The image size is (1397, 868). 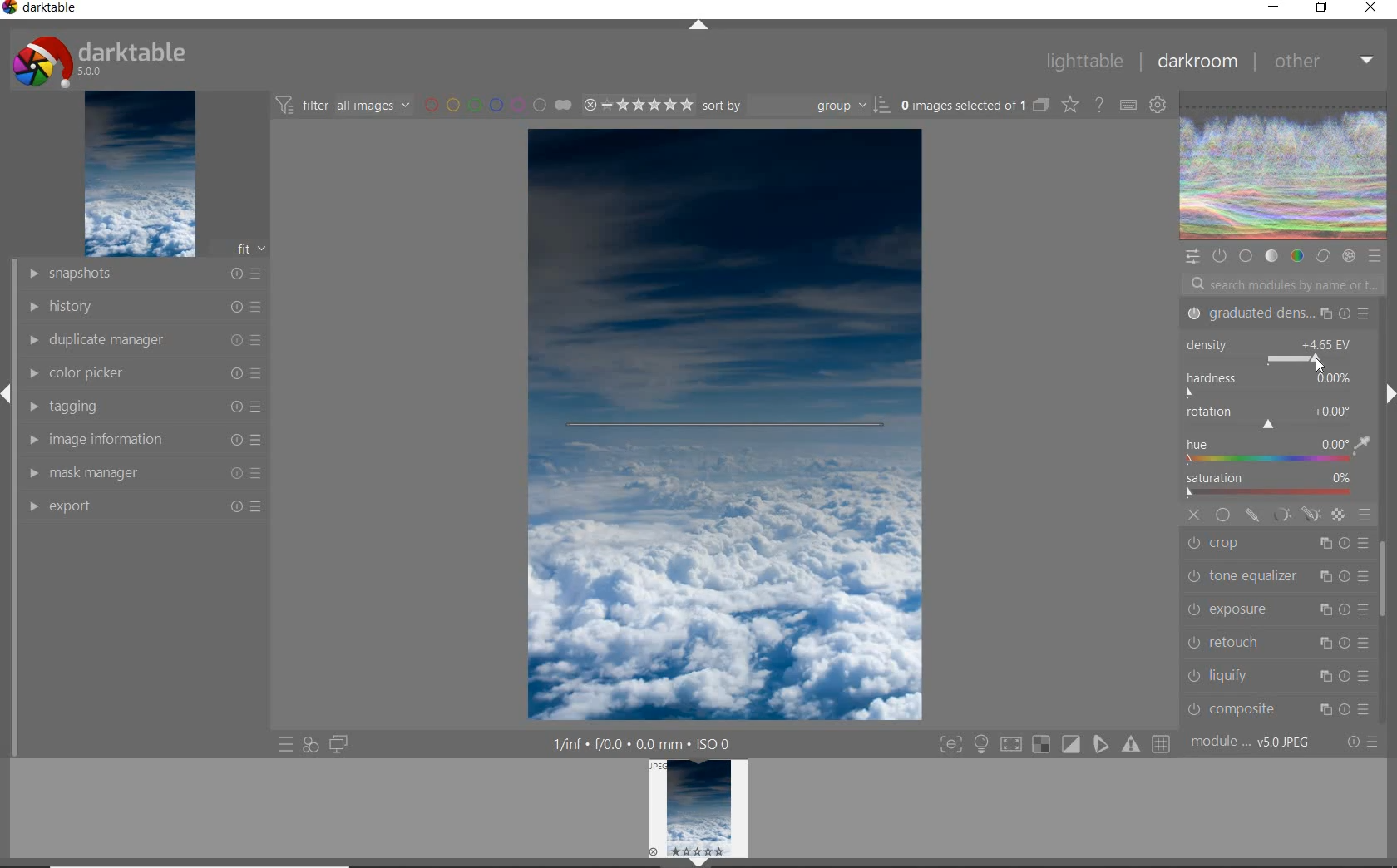 What do you see at coordinates (1271, 258) in the screenshot?
I see `TONE` at bounding box center [1271, 258].